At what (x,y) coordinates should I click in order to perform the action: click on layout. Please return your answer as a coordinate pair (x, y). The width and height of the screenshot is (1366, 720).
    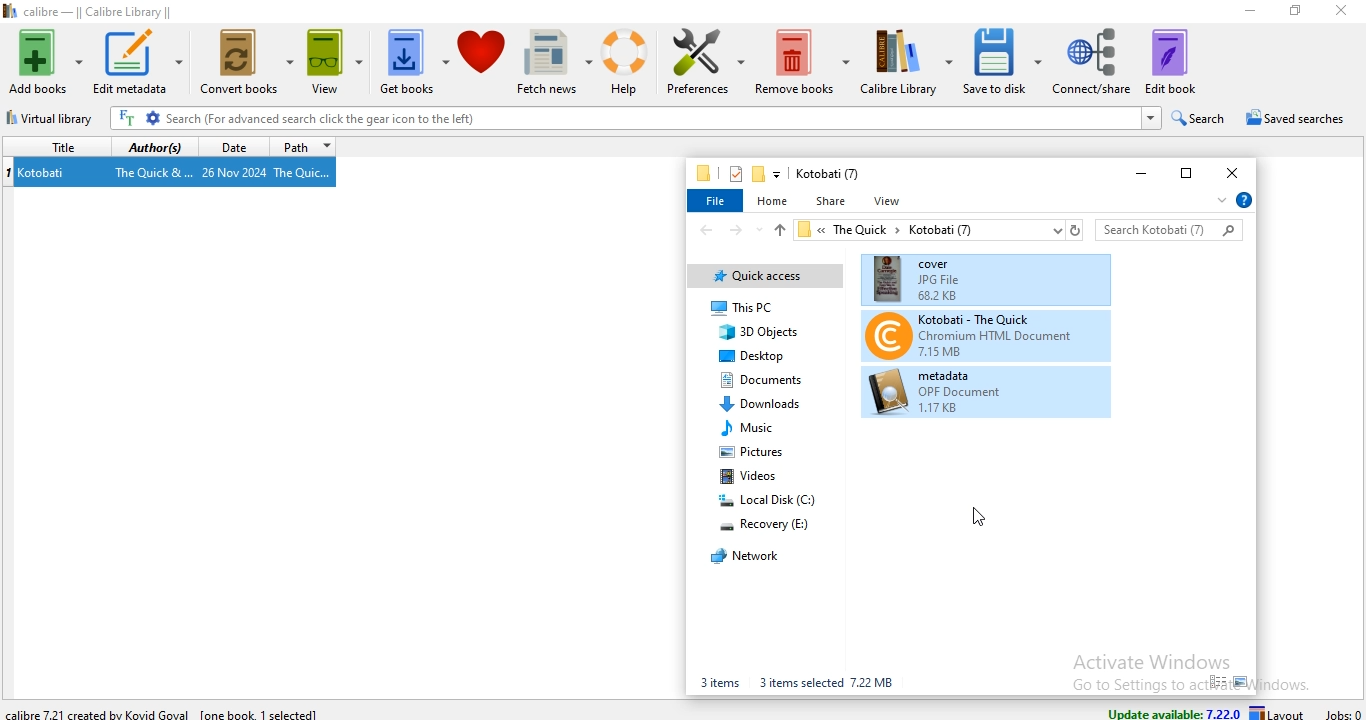
    Looking at the image, I should click on (1281, 712).